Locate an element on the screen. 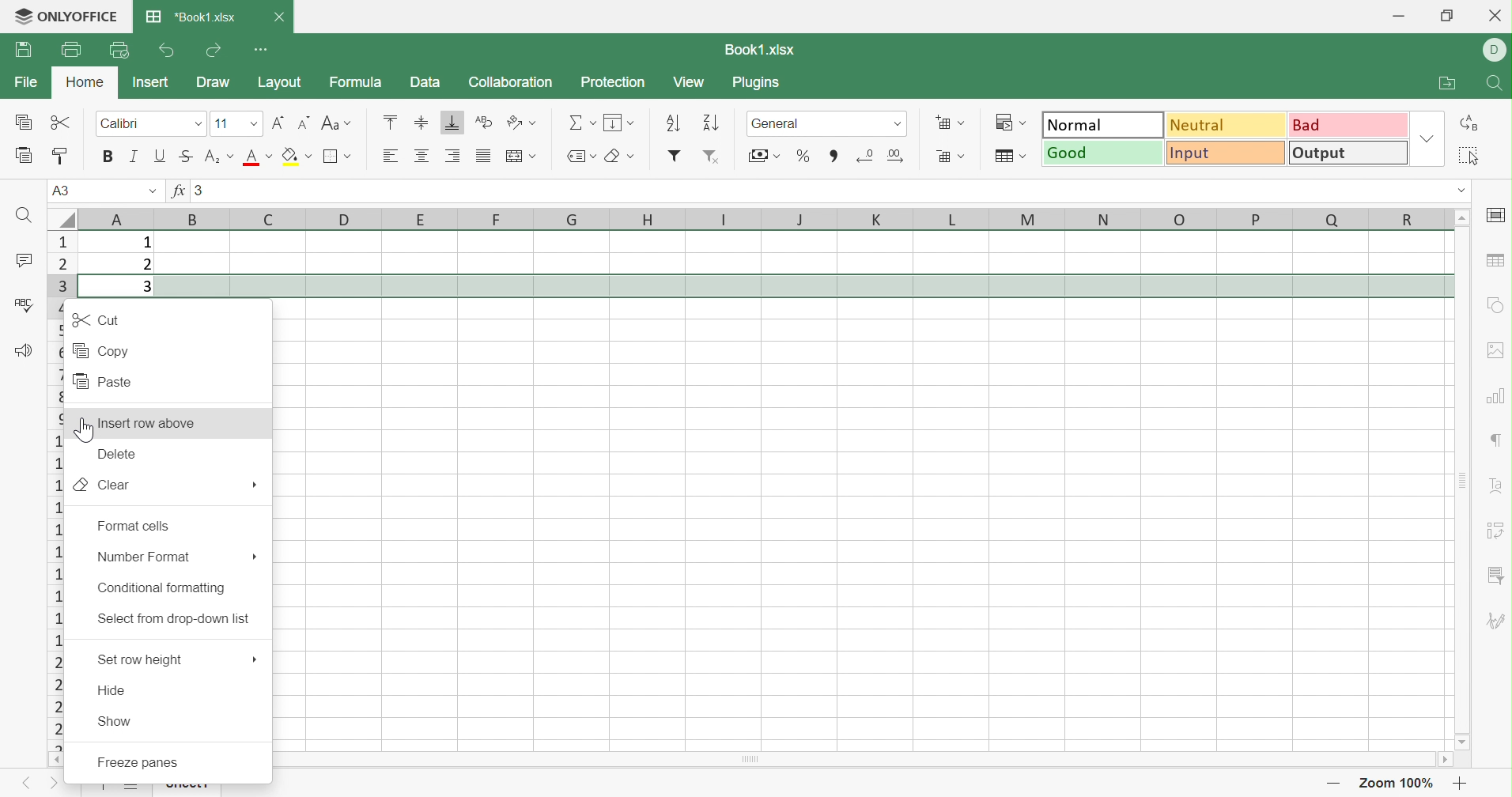 Image resolution: width=1512 pixels, height=797 pixels. Drop Down is located at coordinates (536, 123).